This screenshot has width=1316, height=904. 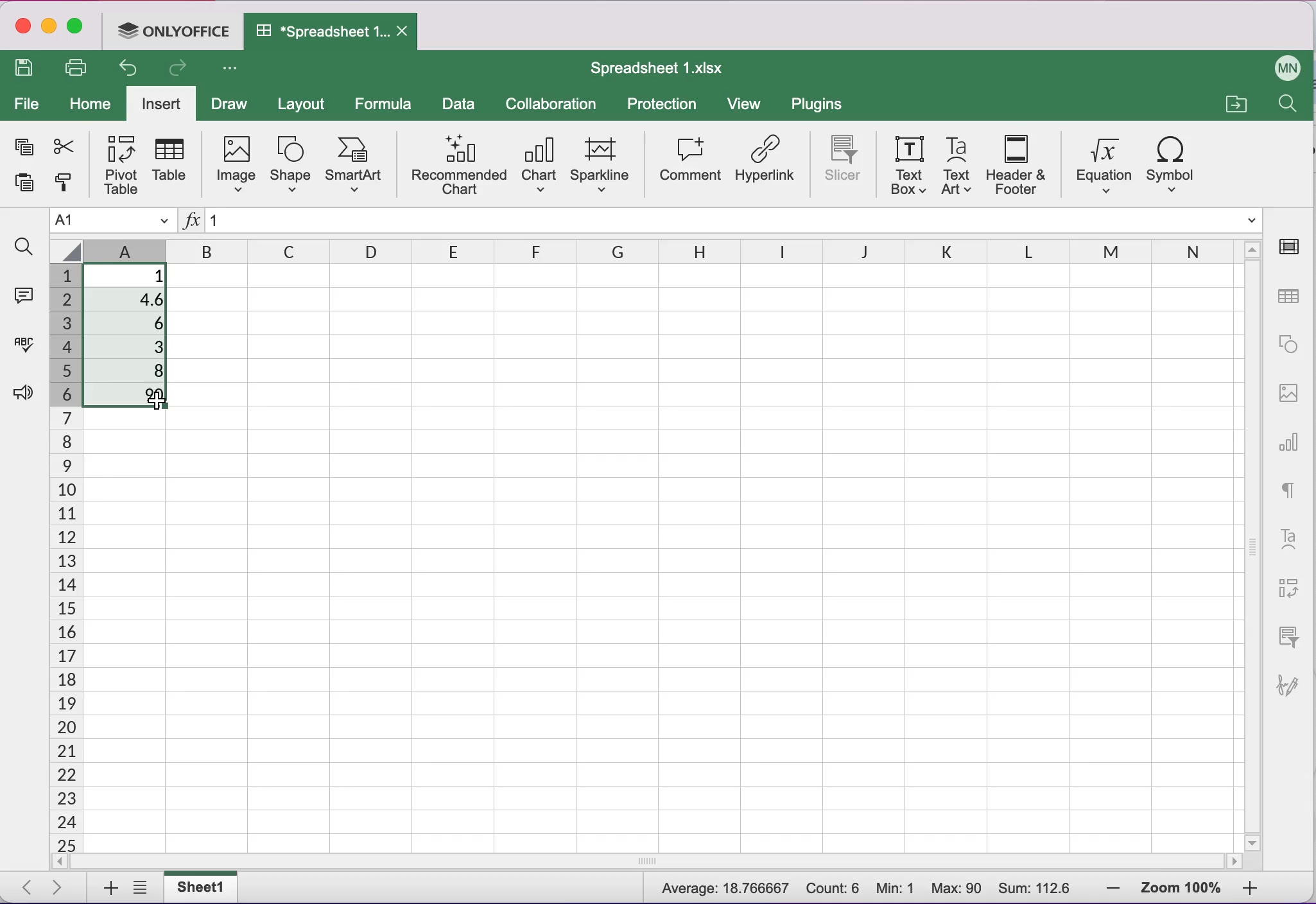 What do you see at coordinates (1251, 557) in the screenshot?
I see `vertical scrollbar` at bounding box center [1251, 557].